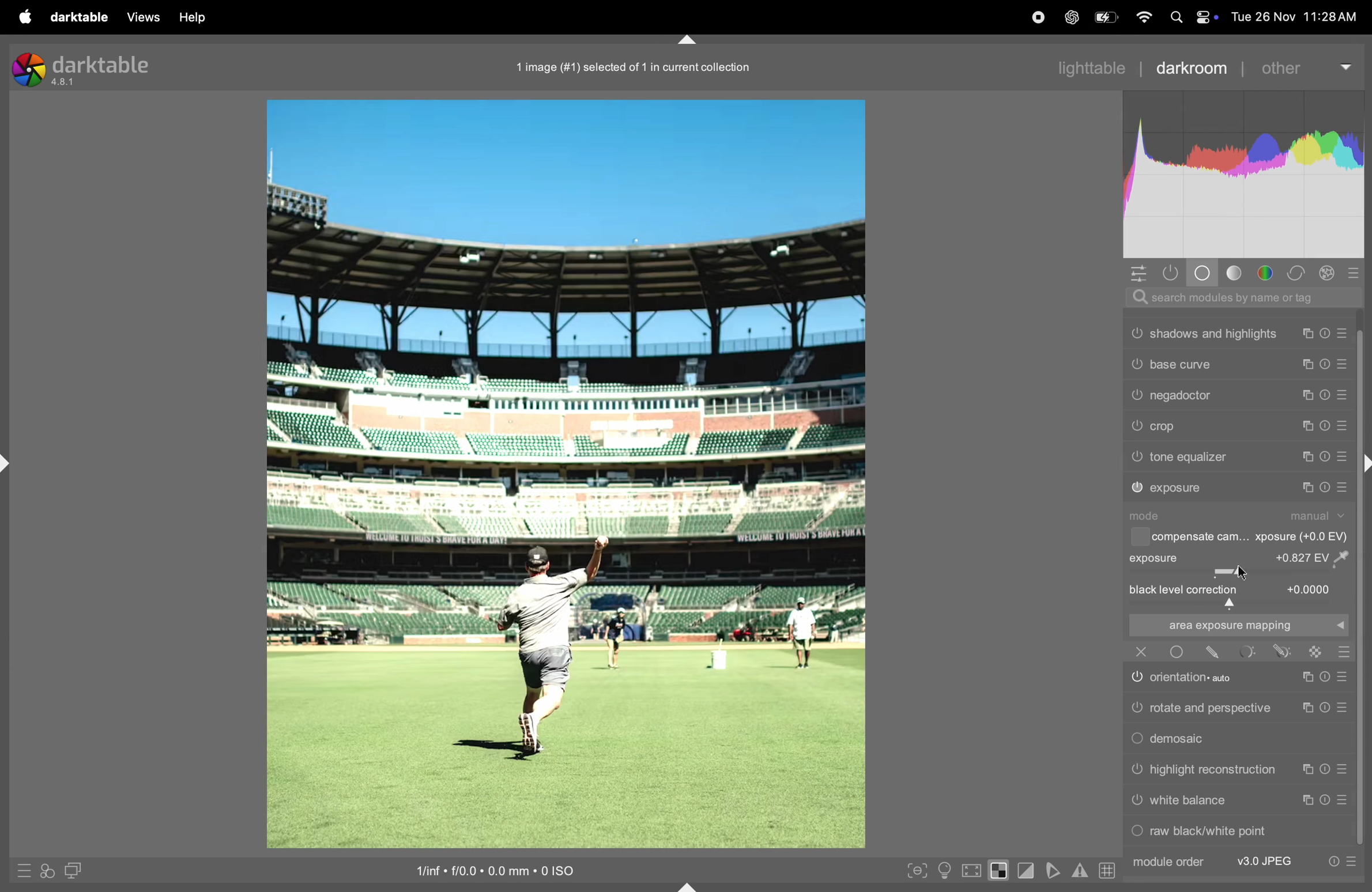  I want to click on reset presets, so click(1327, 334).